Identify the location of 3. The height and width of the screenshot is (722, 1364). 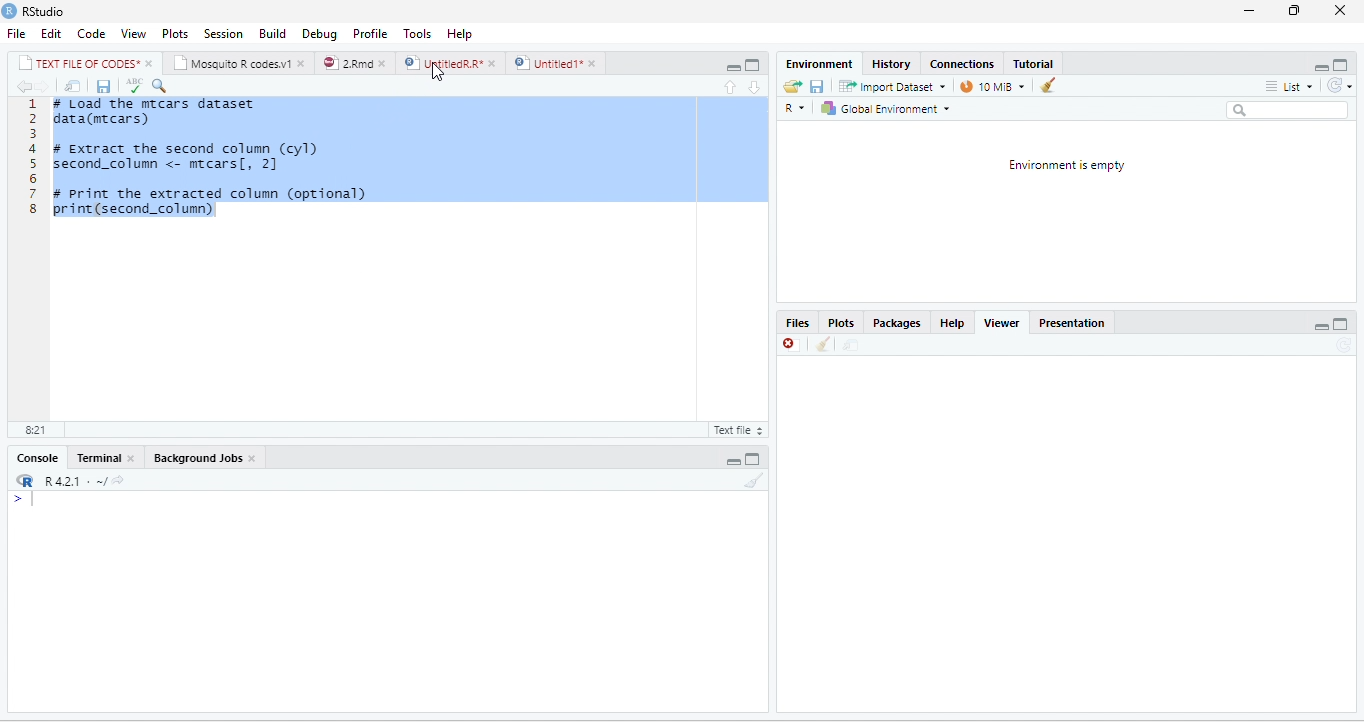
(33, 134).